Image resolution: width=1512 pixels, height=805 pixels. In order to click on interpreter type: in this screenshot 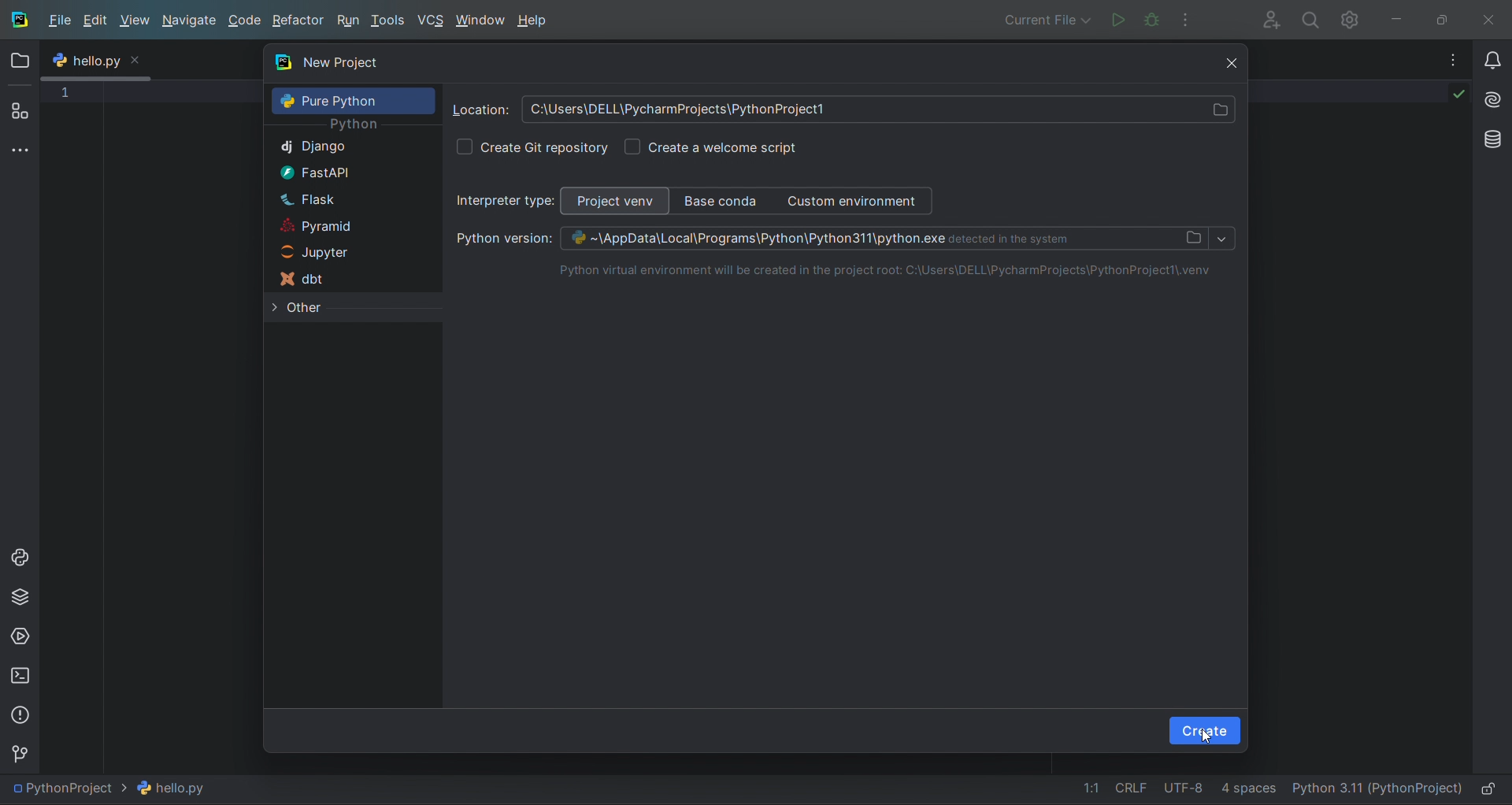, I will do `click(506, 201)`.